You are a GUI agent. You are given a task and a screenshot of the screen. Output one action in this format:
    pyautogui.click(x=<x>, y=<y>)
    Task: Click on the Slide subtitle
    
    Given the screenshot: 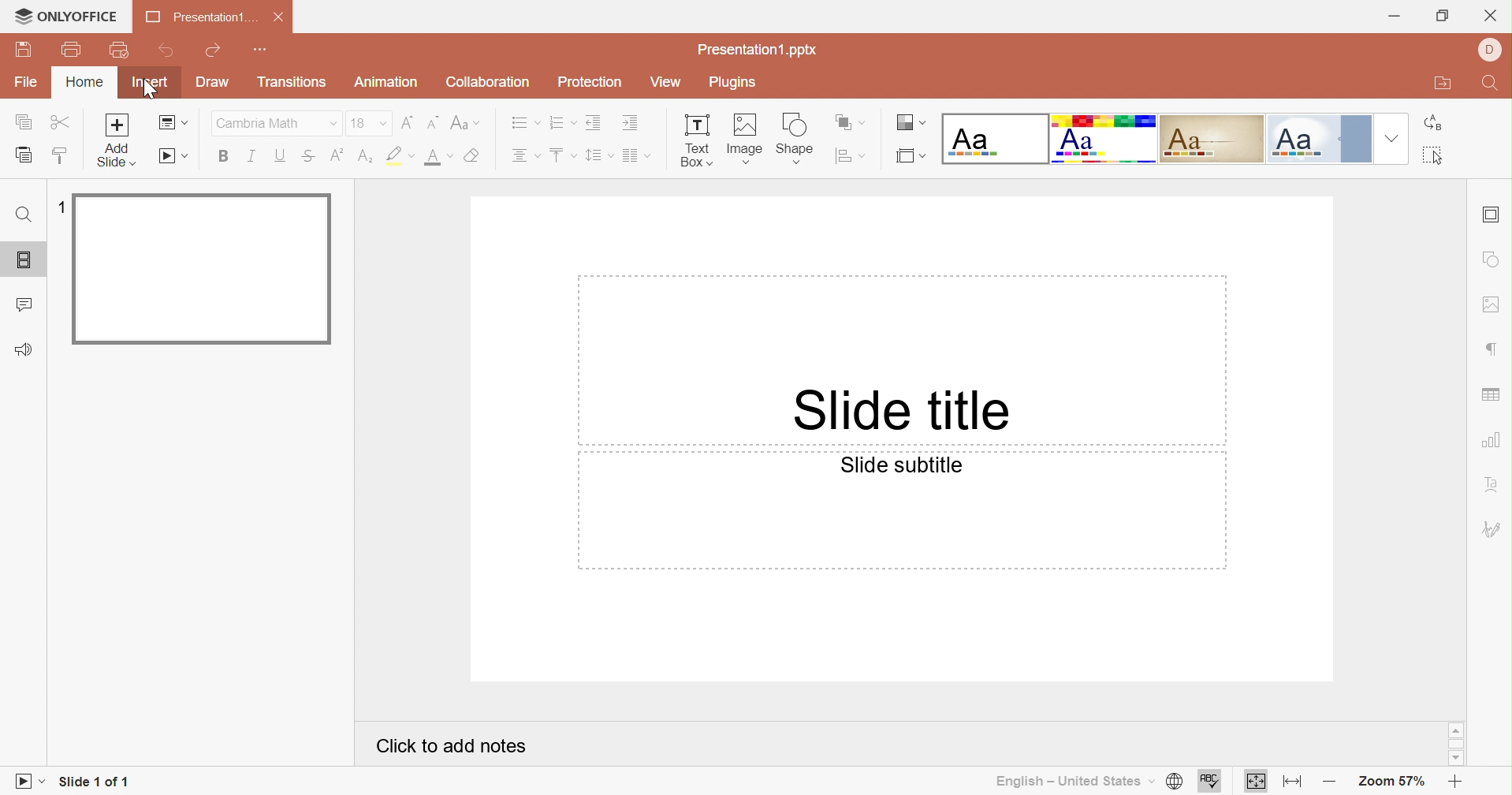 What is the action you would take?
    pyautogui.click(x=907, y=465)
    